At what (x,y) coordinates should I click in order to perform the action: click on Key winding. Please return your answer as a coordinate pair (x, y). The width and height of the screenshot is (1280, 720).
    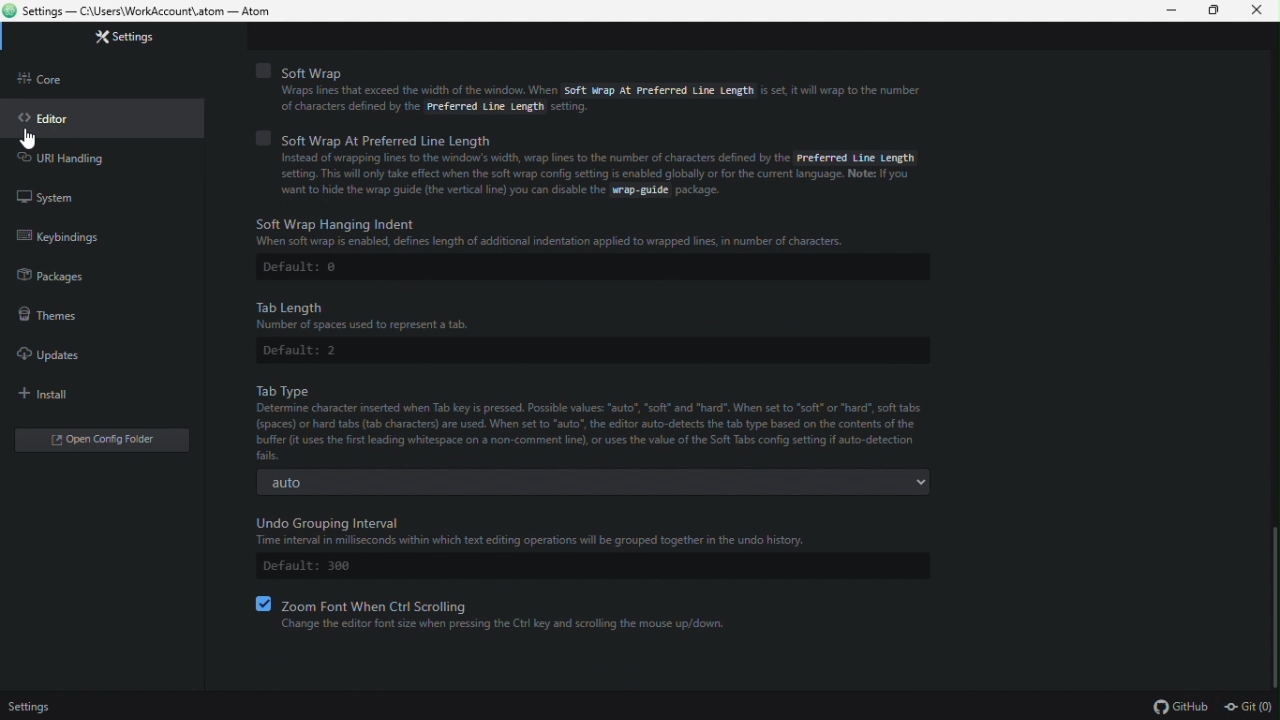
    Looking at the image, I should click on (72, 240).